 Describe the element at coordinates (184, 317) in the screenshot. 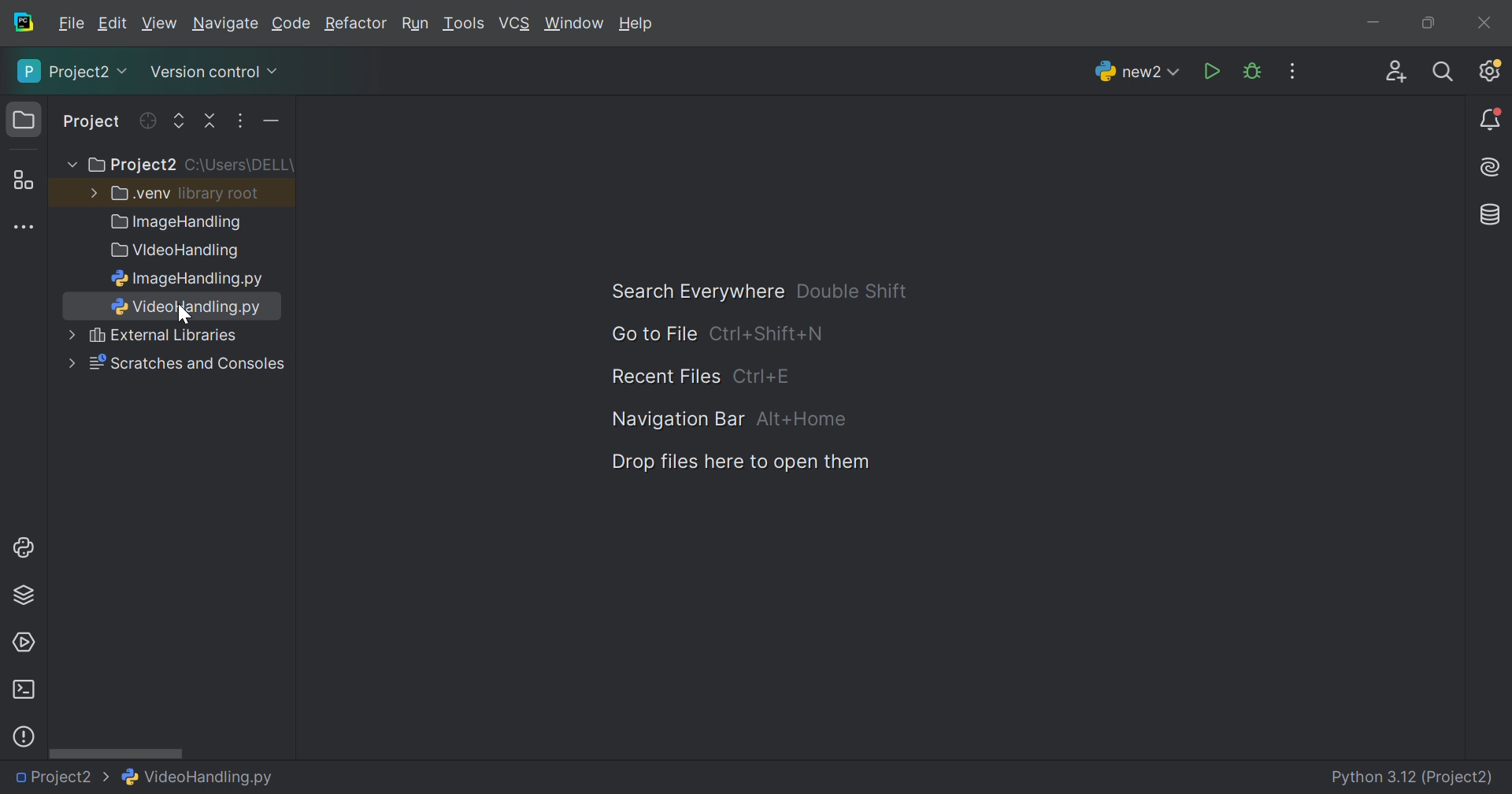

I see `cursor` at that location.